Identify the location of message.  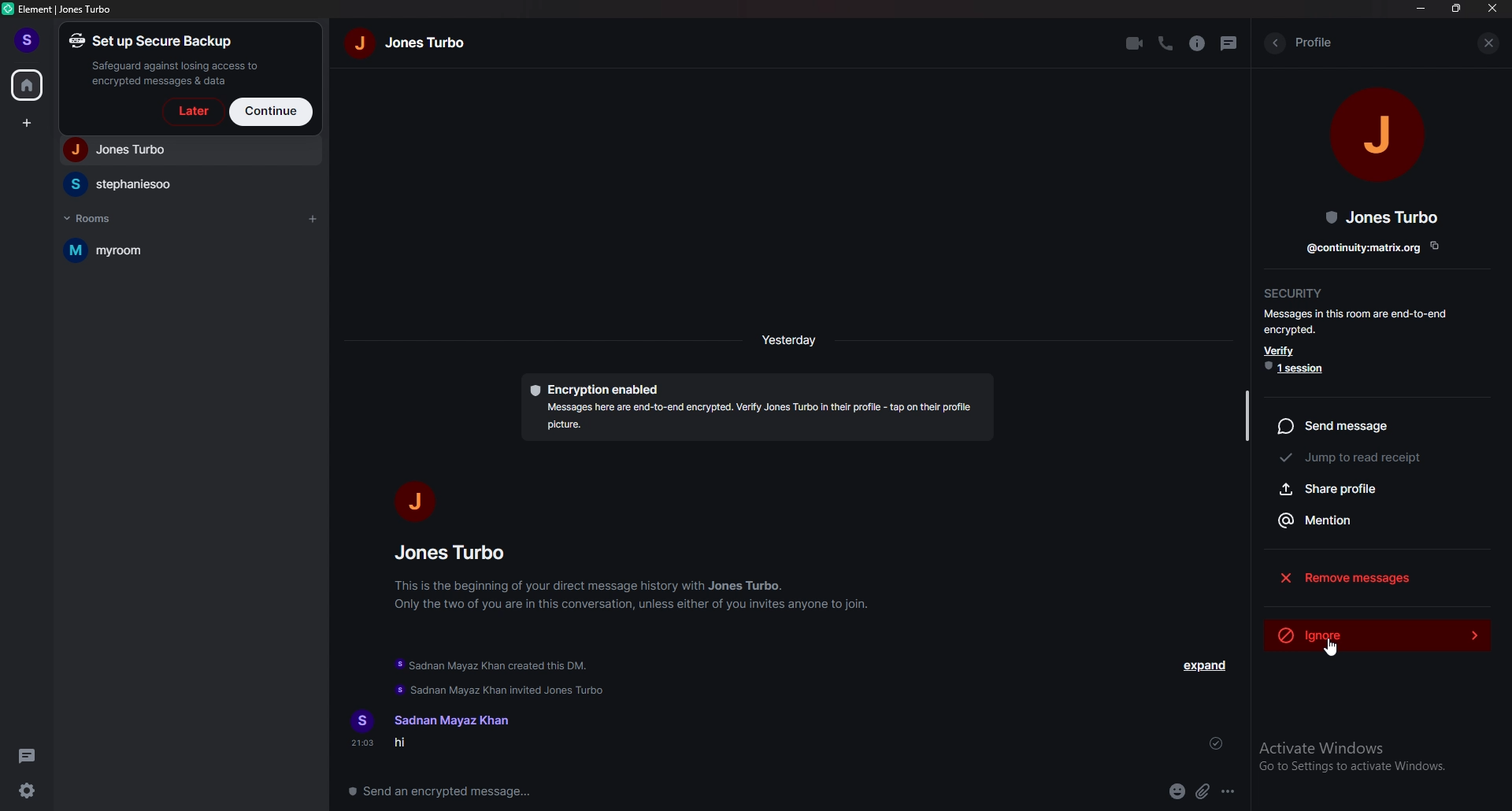
(444, 745).